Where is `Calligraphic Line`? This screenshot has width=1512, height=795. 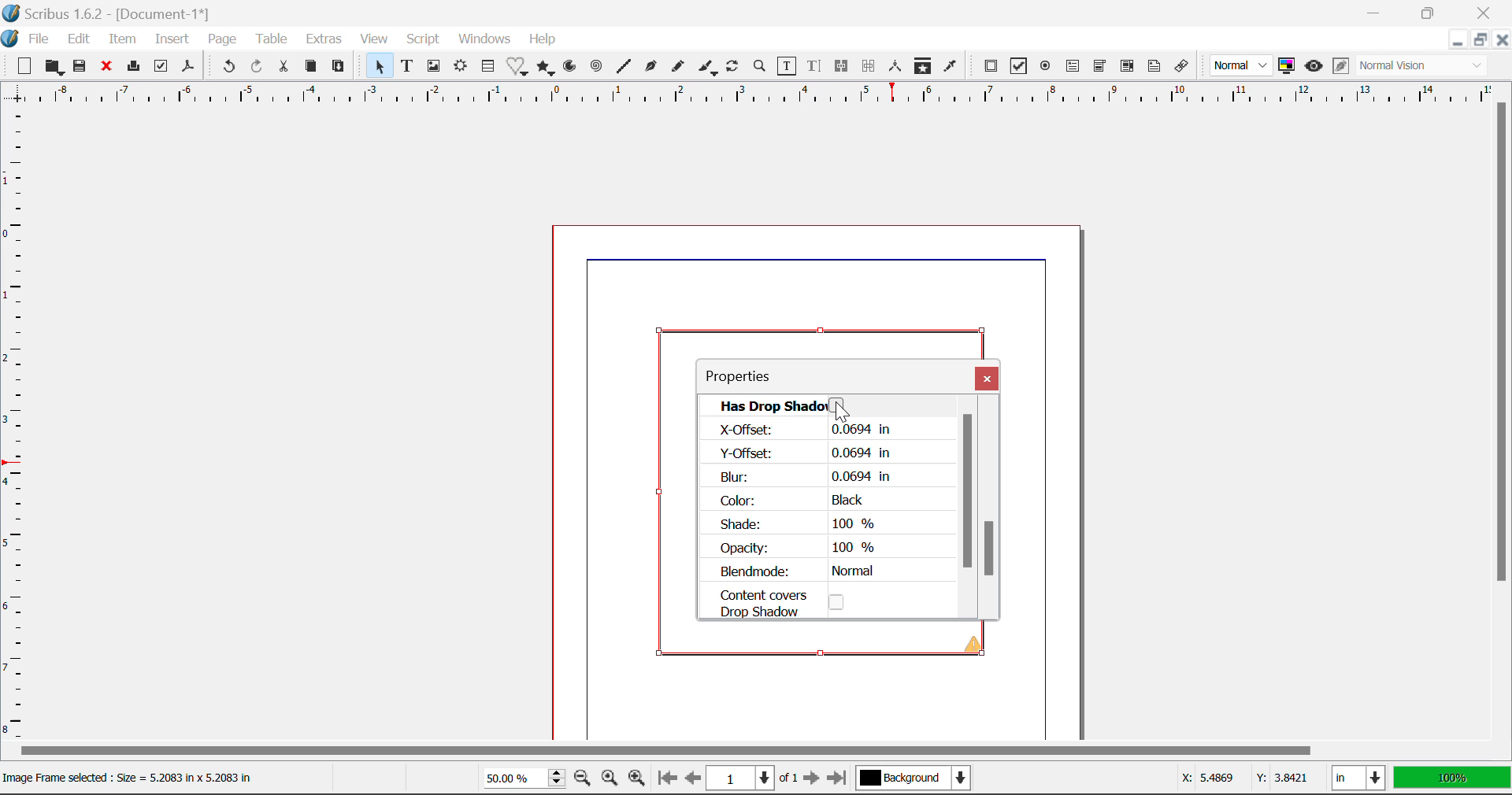
Calligraphic Line is located at coordinates (709, 69).